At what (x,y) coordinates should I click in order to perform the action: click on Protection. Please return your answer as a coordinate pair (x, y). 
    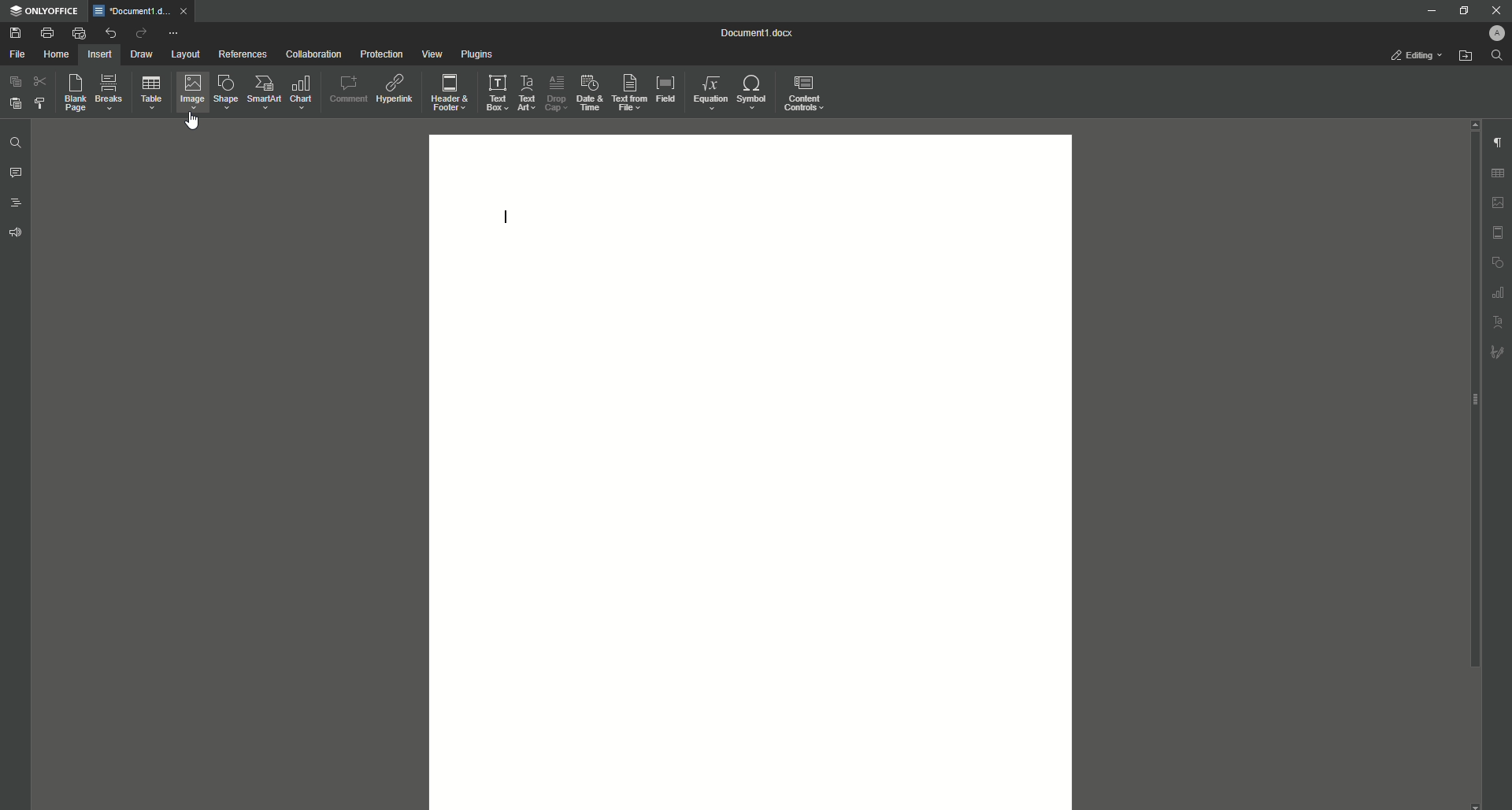
    Looking at the image, I should click on (381, 54).